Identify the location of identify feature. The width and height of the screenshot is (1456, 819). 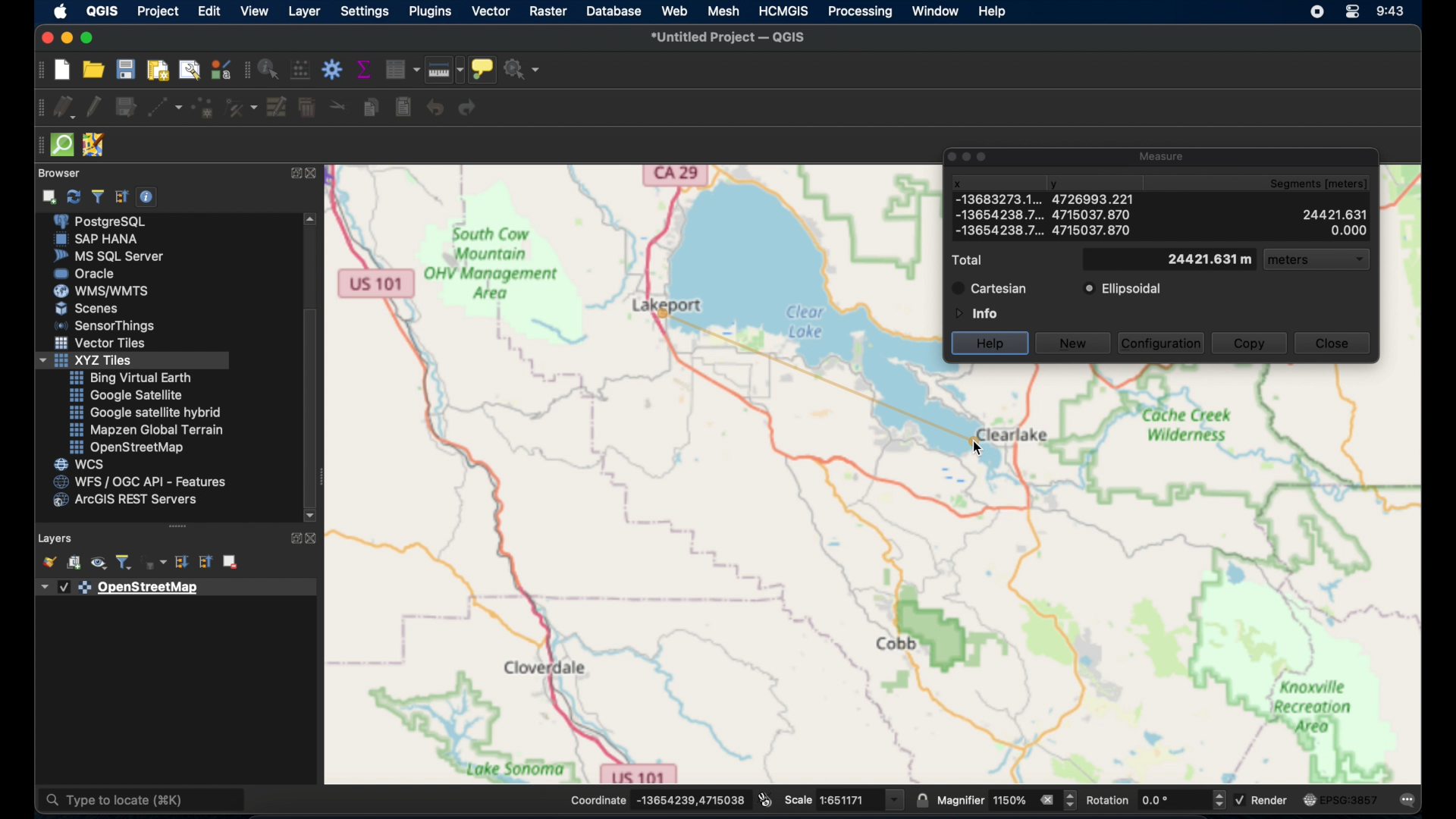
(268, 69).